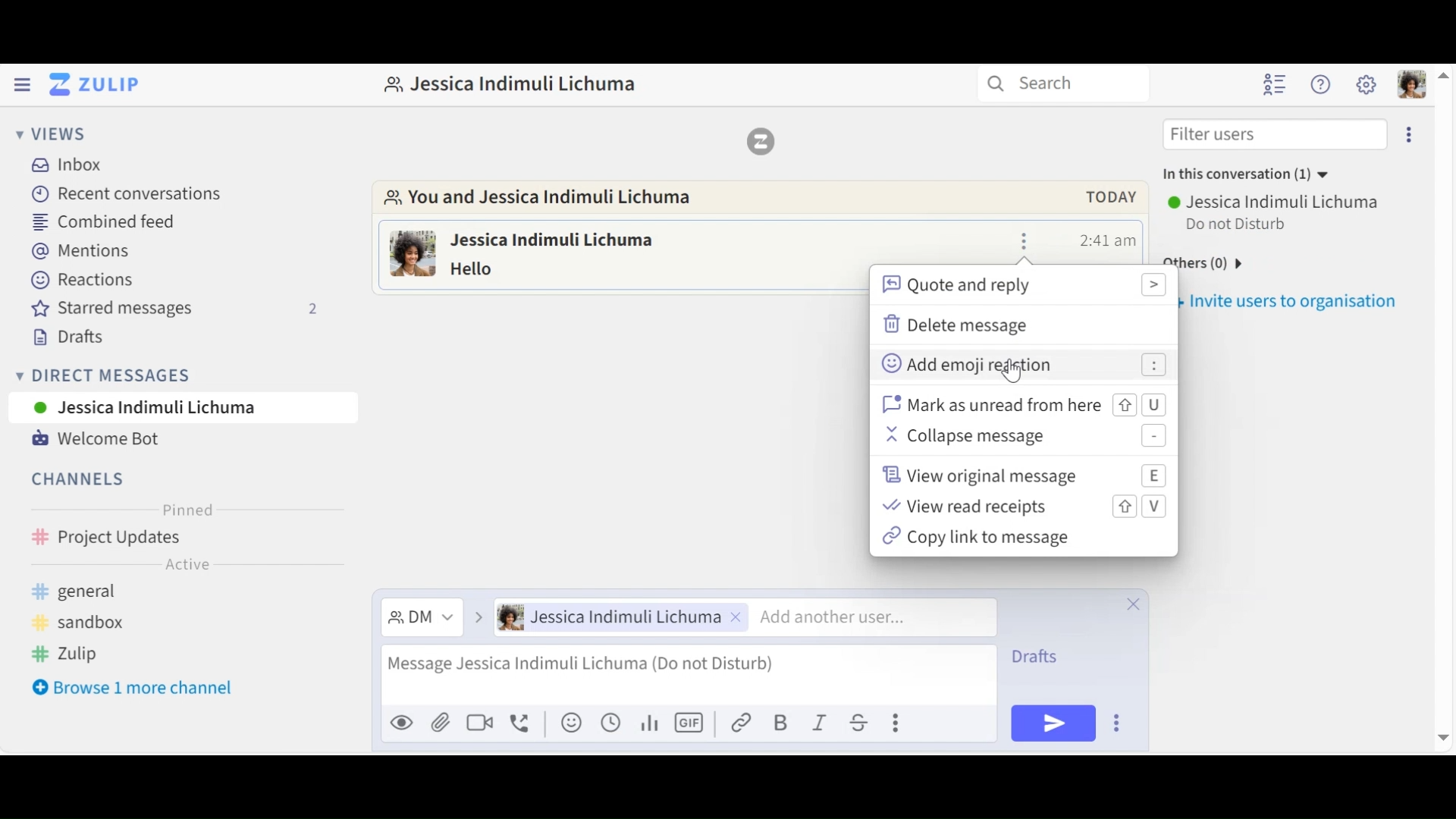 The width and height of the screenshot is (1456, 819). Describe the element at coordinates (183, 406) in the screenshot. I see `User` at that location.